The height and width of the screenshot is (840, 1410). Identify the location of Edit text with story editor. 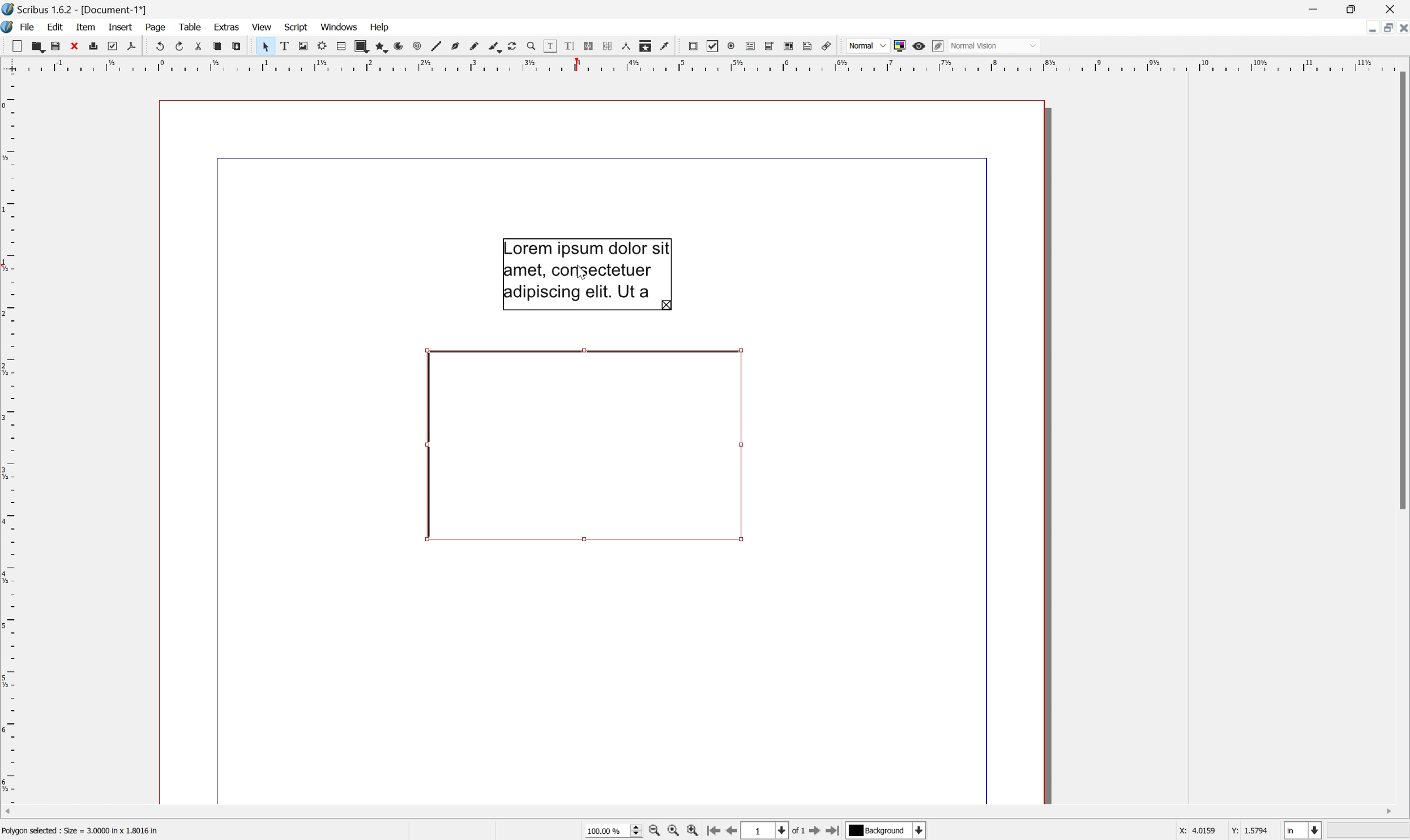
(567, 45).